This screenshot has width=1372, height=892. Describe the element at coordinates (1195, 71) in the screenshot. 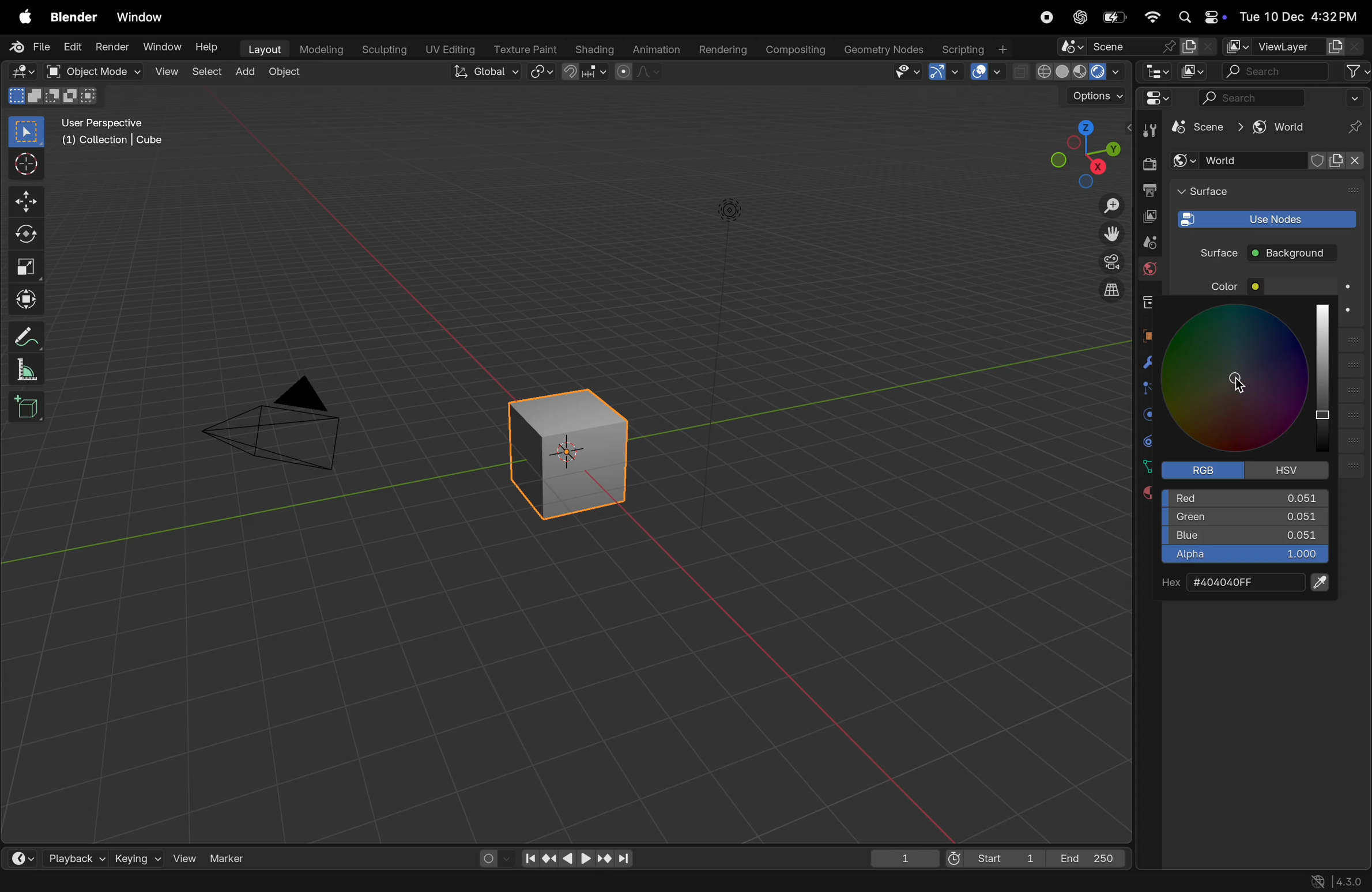

I see `image` at that location.